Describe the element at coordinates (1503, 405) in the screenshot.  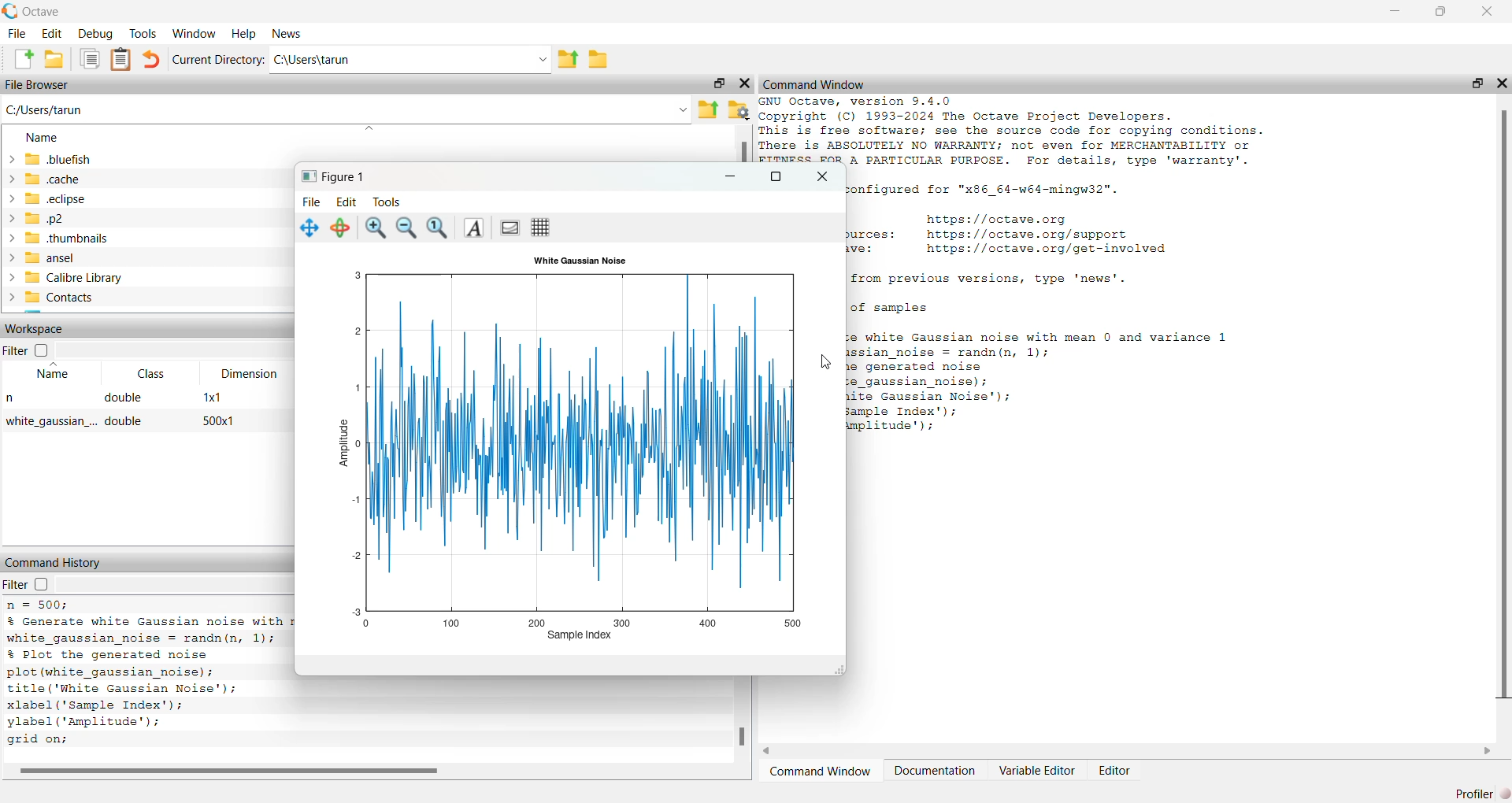
I see `vertical scroll bar` at that location.